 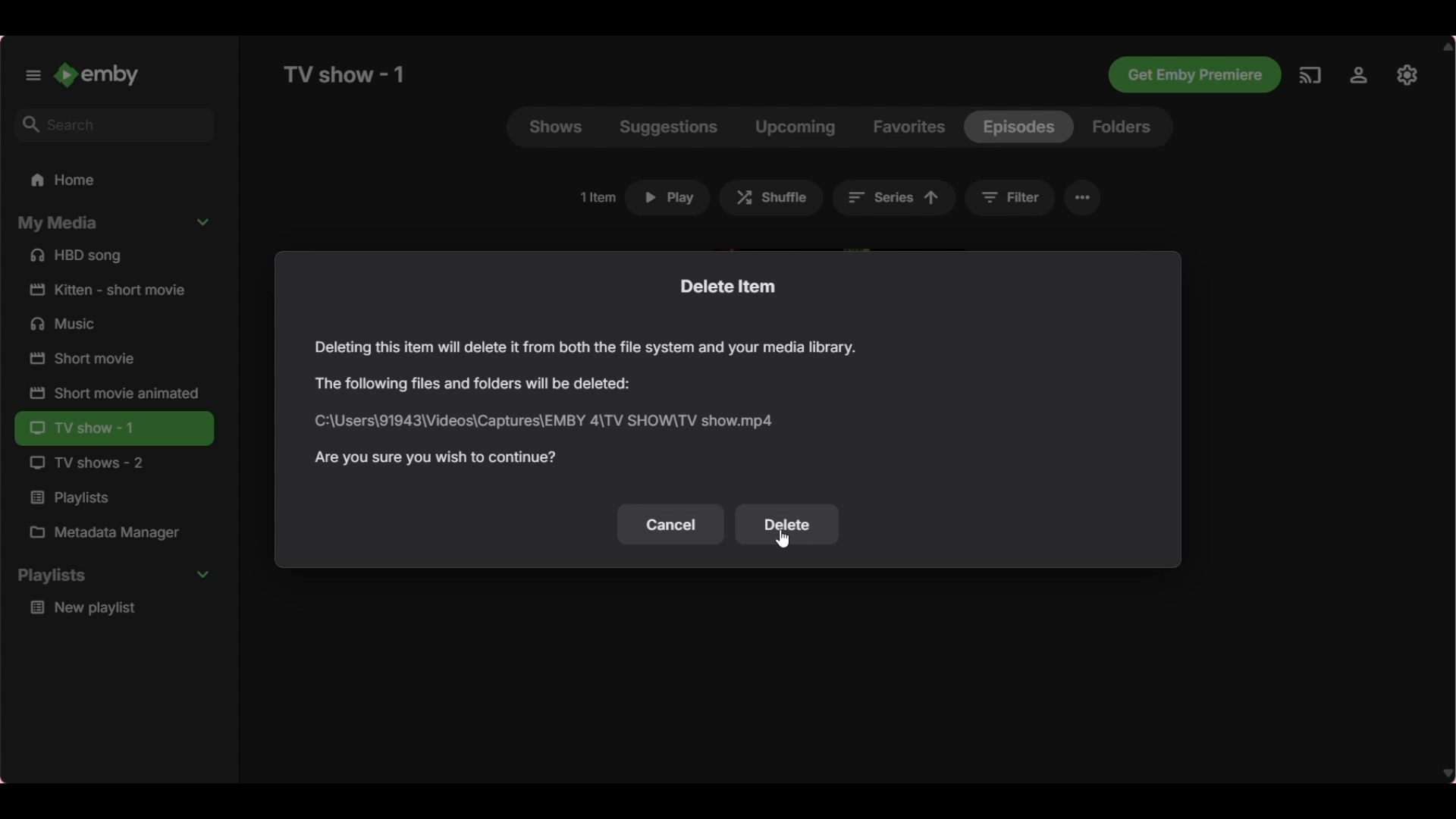 What do you see at coordinates (115, 607) in the screenshot?
I see `Media under Playlists` at bounding box center [115, 607].